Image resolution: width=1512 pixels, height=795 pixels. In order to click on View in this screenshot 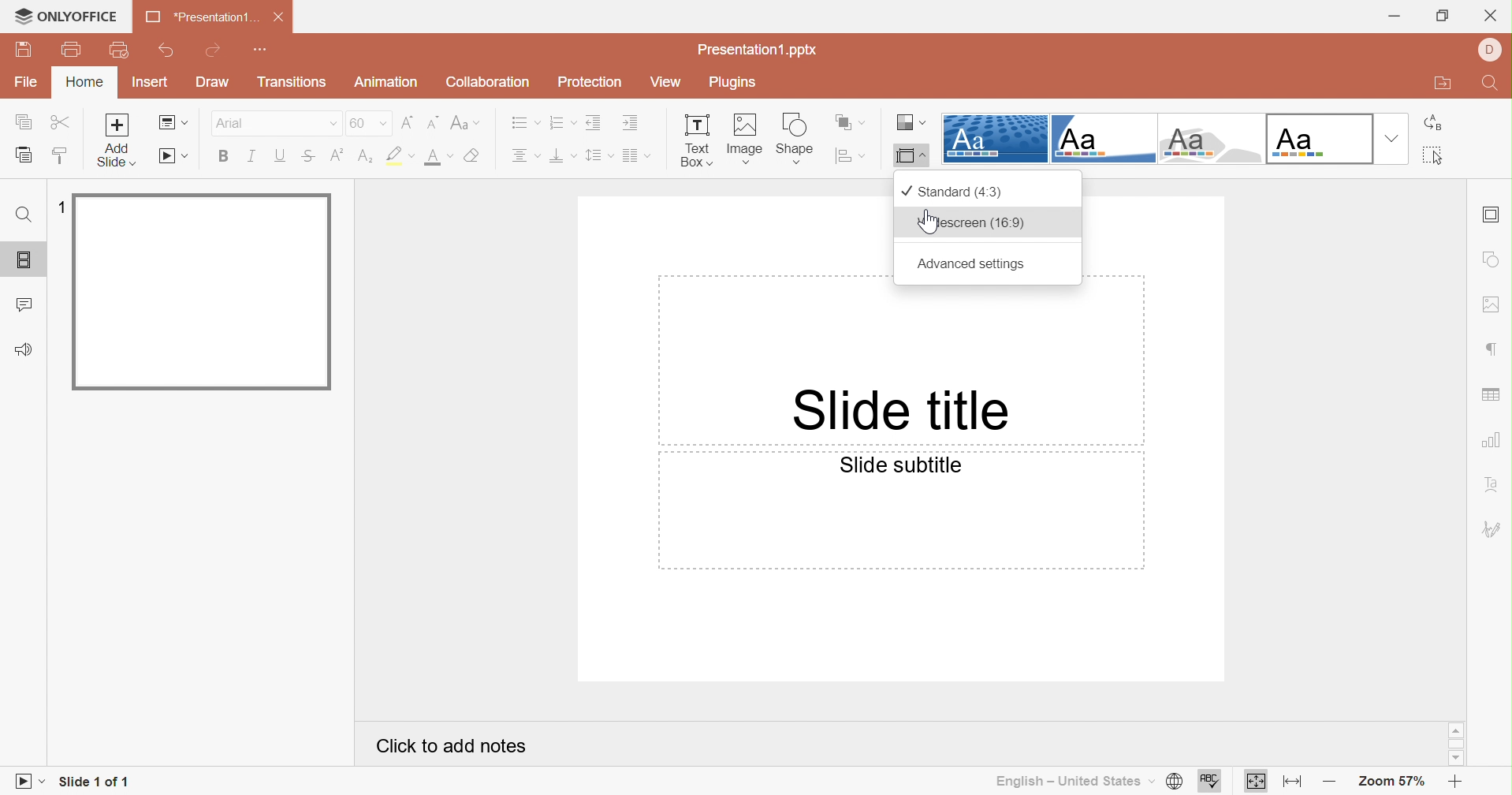, I will do `click(664, 80)`.